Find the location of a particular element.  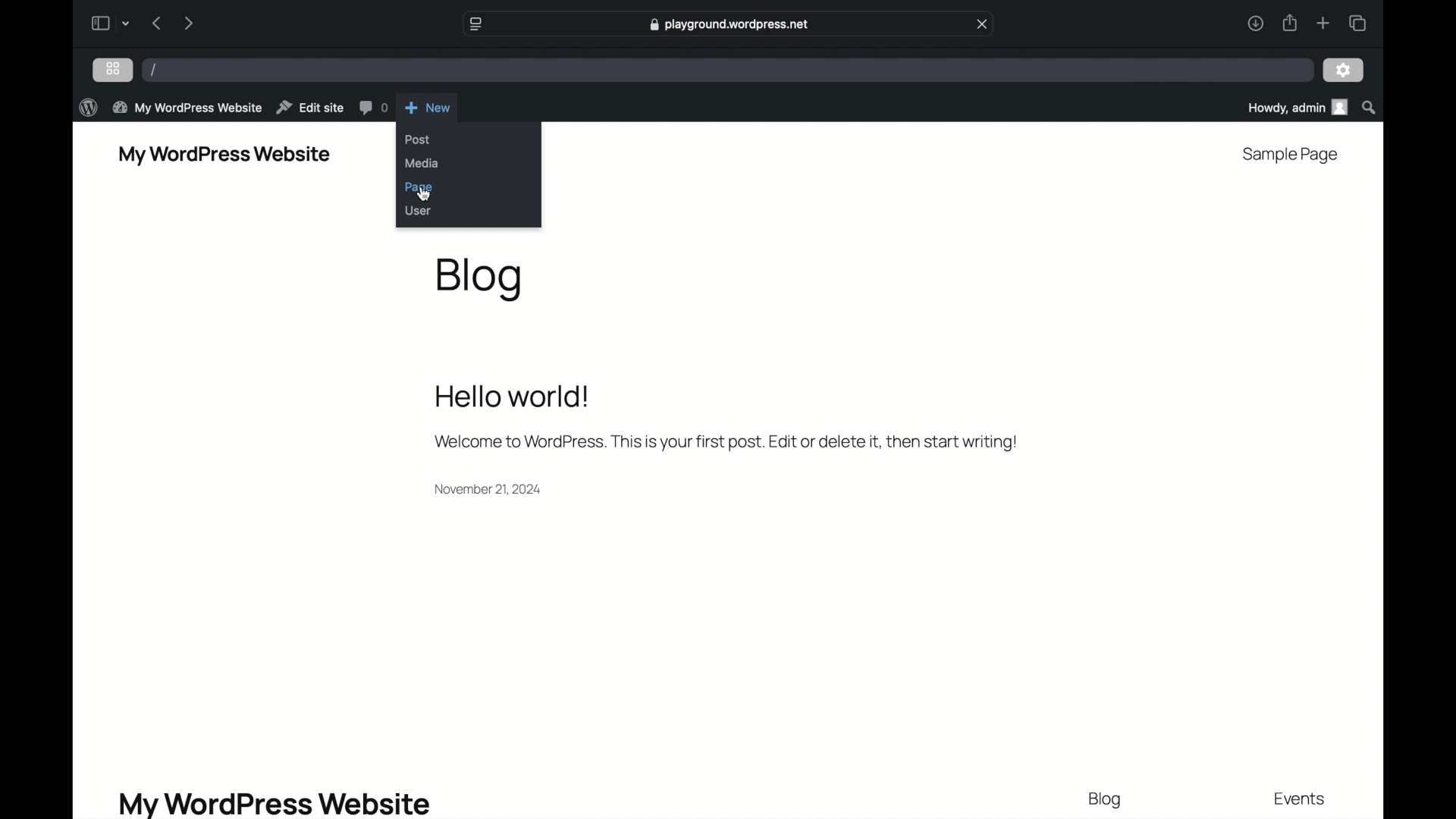

page is located at coordinates (419, 187).